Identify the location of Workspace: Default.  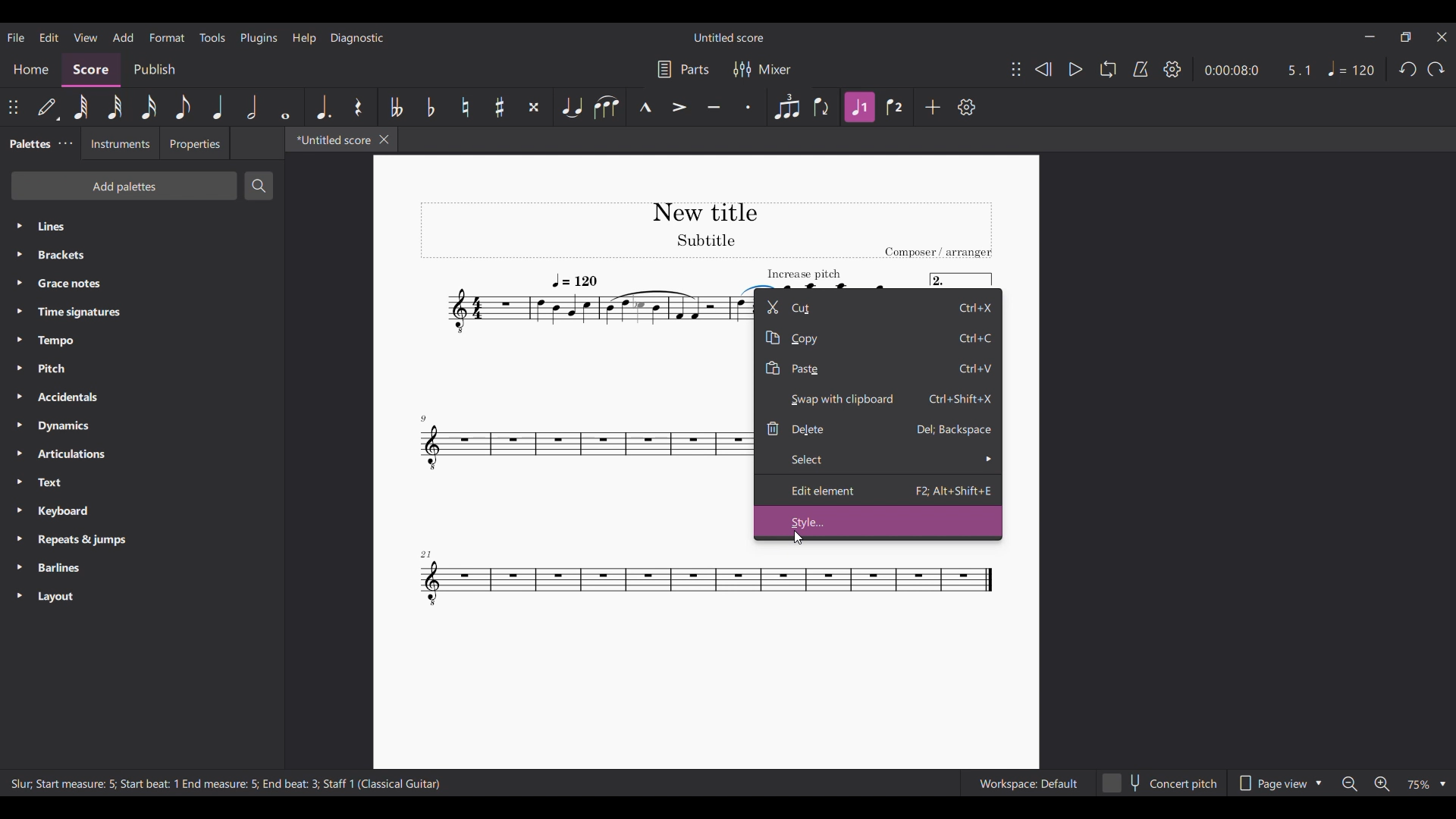
(1028, 783).